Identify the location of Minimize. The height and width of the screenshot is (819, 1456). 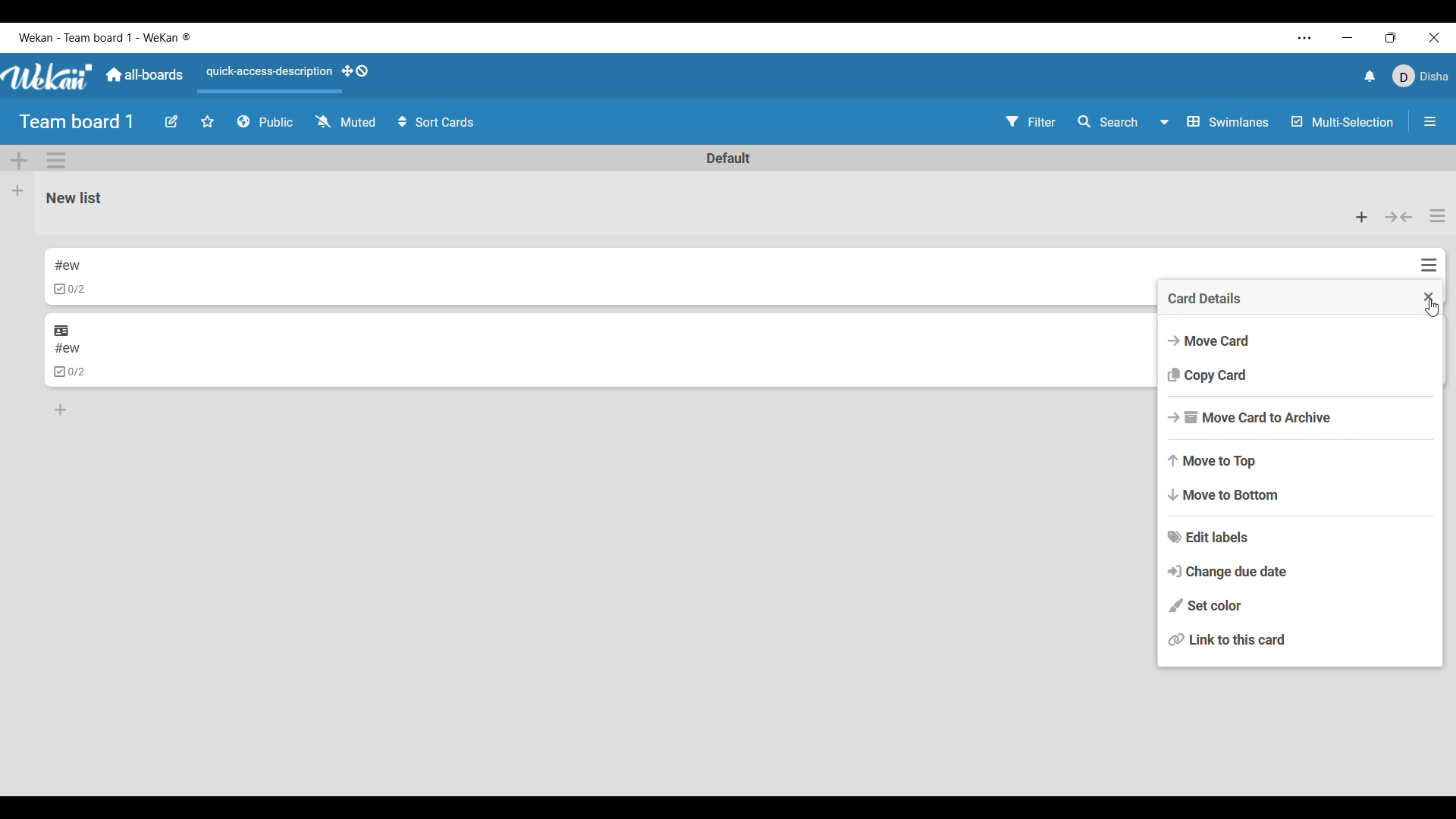
(1348, 37).